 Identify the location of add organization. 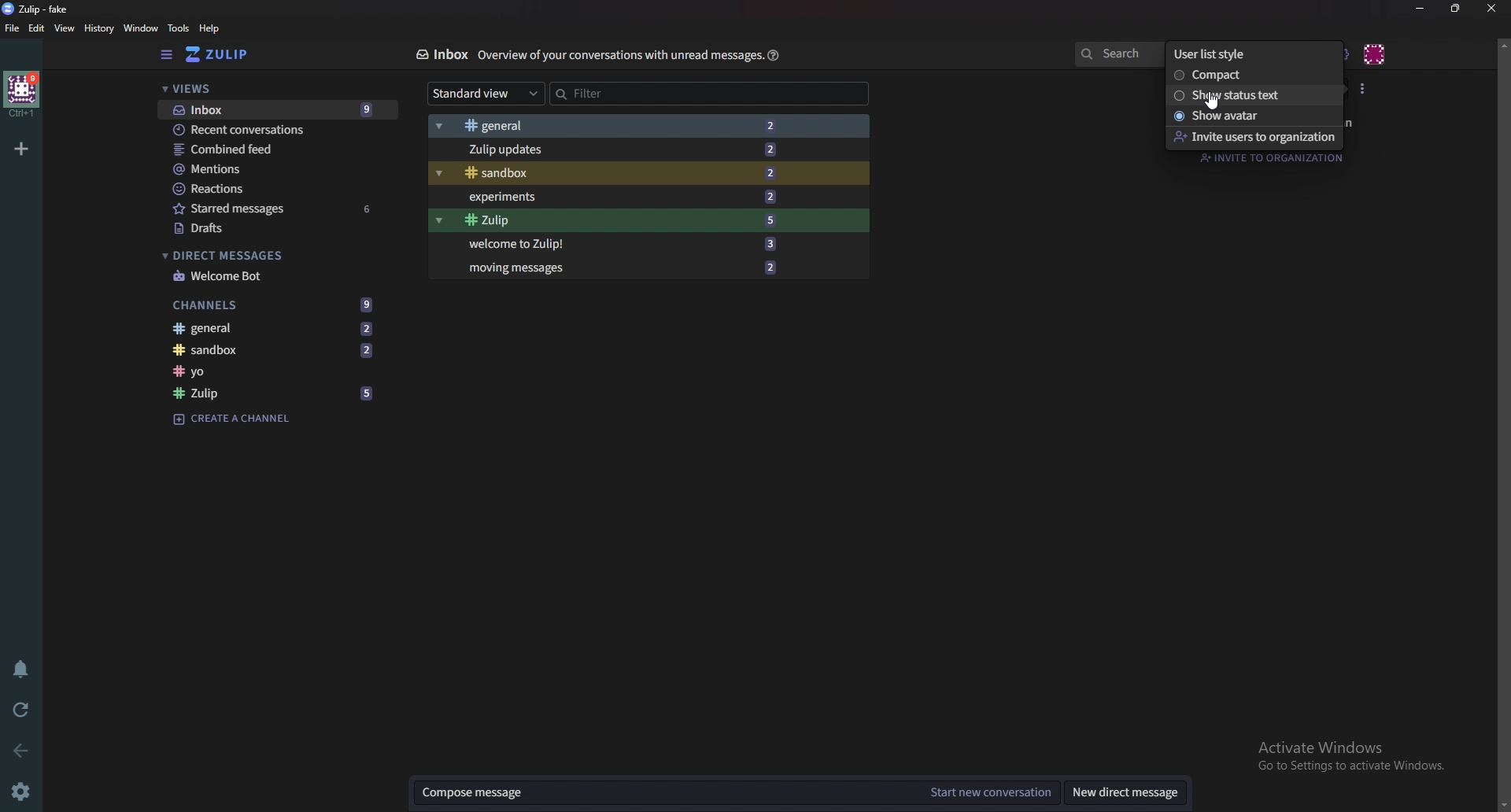
(21, 148).